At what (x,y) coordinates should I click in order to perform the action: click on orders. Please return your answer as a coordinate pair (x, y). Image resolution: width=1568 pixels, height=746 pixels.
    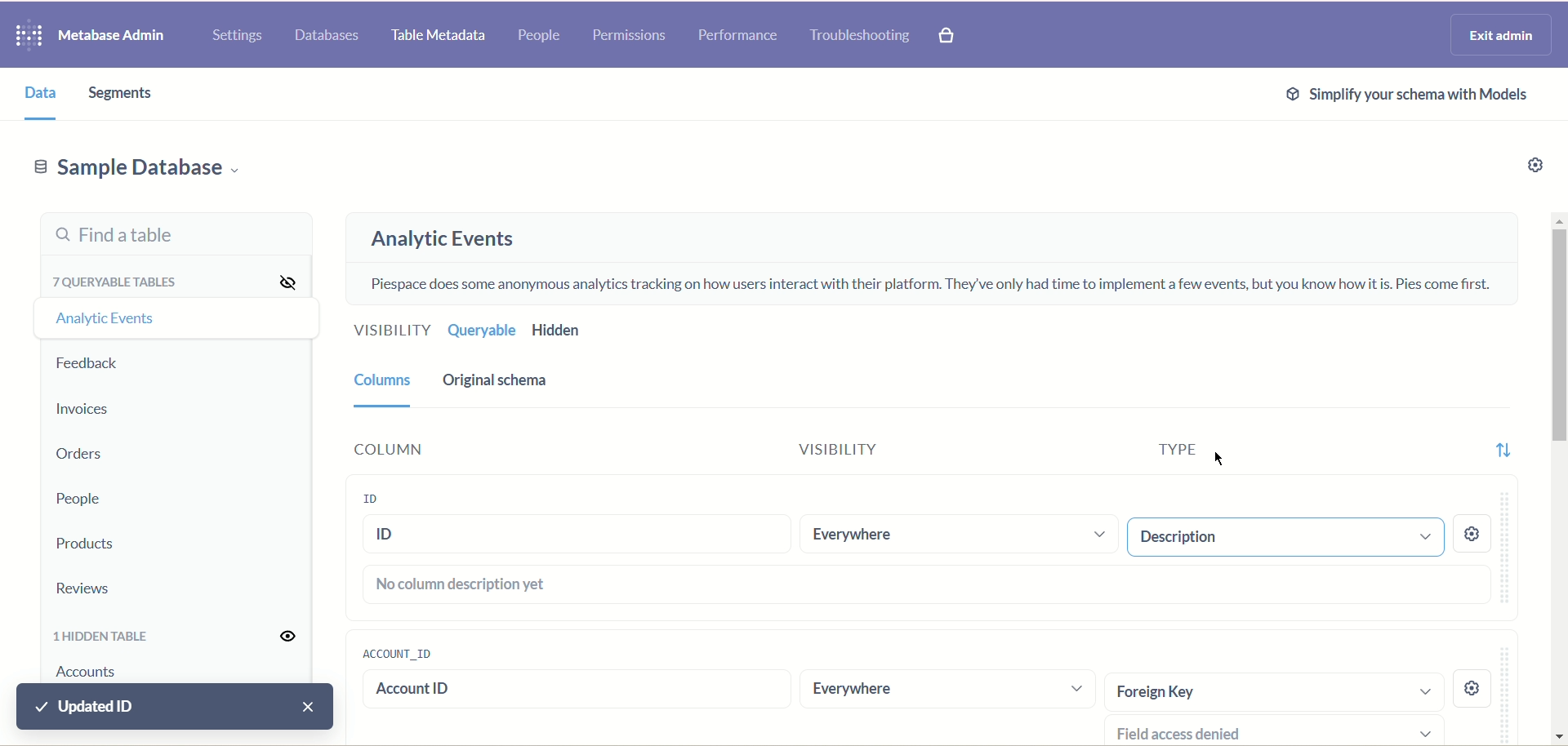
    Looking at the image, I should click on (77, 456).